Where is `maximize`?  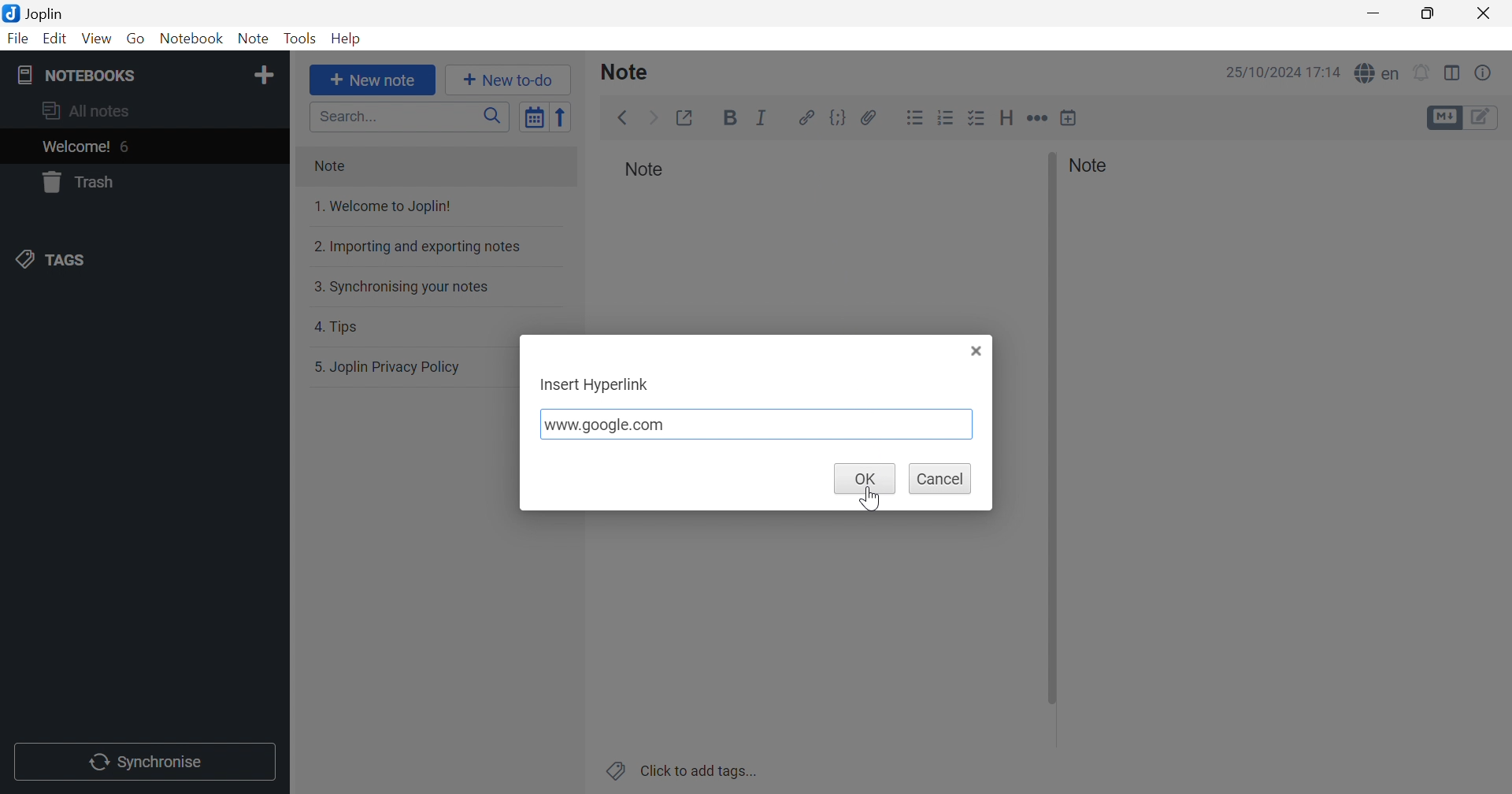
maximize is located at coordinates (1427, 13).